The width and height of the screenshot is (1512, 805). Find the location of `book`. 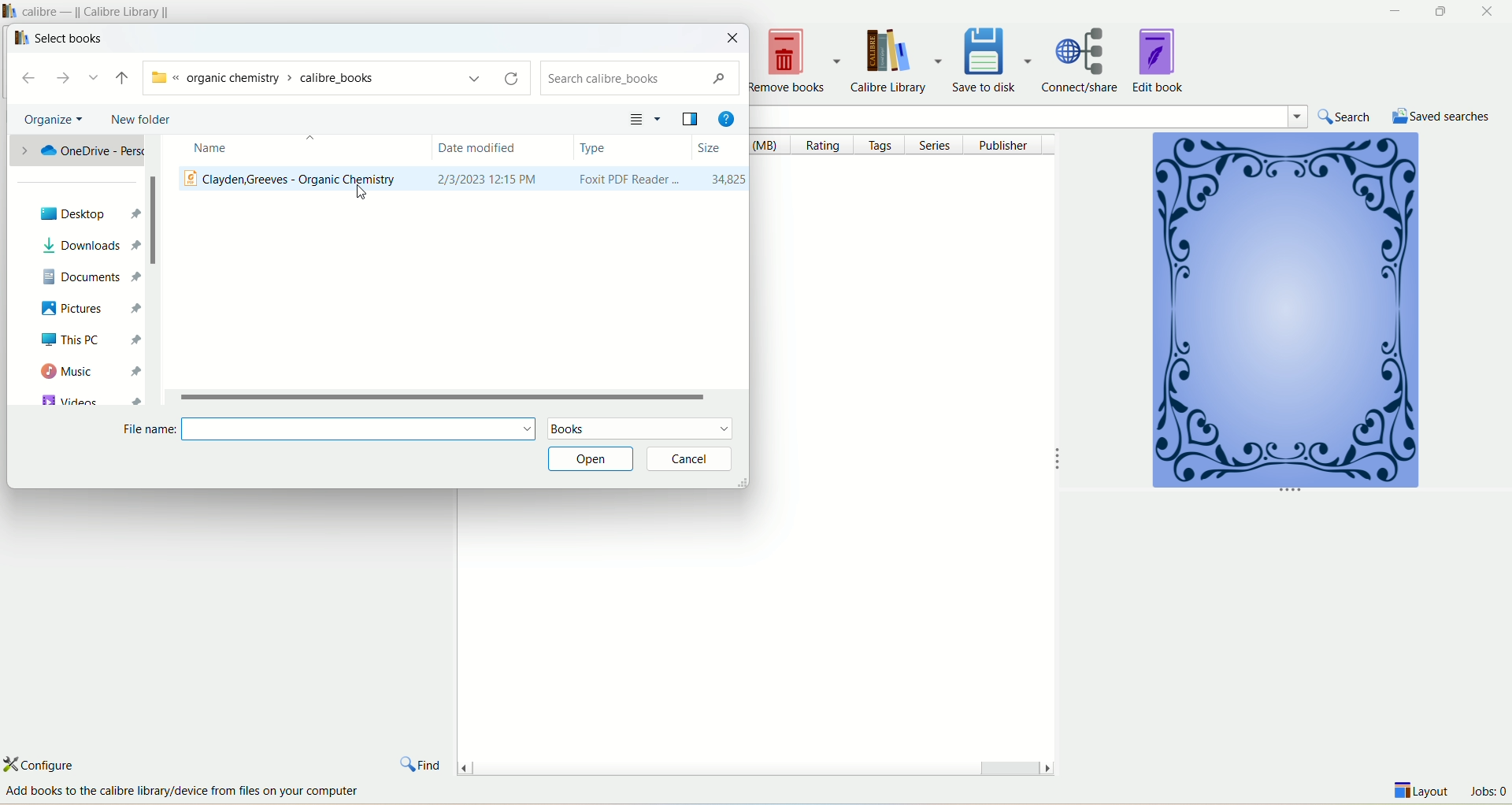

book is located at coordinates (461, 181).